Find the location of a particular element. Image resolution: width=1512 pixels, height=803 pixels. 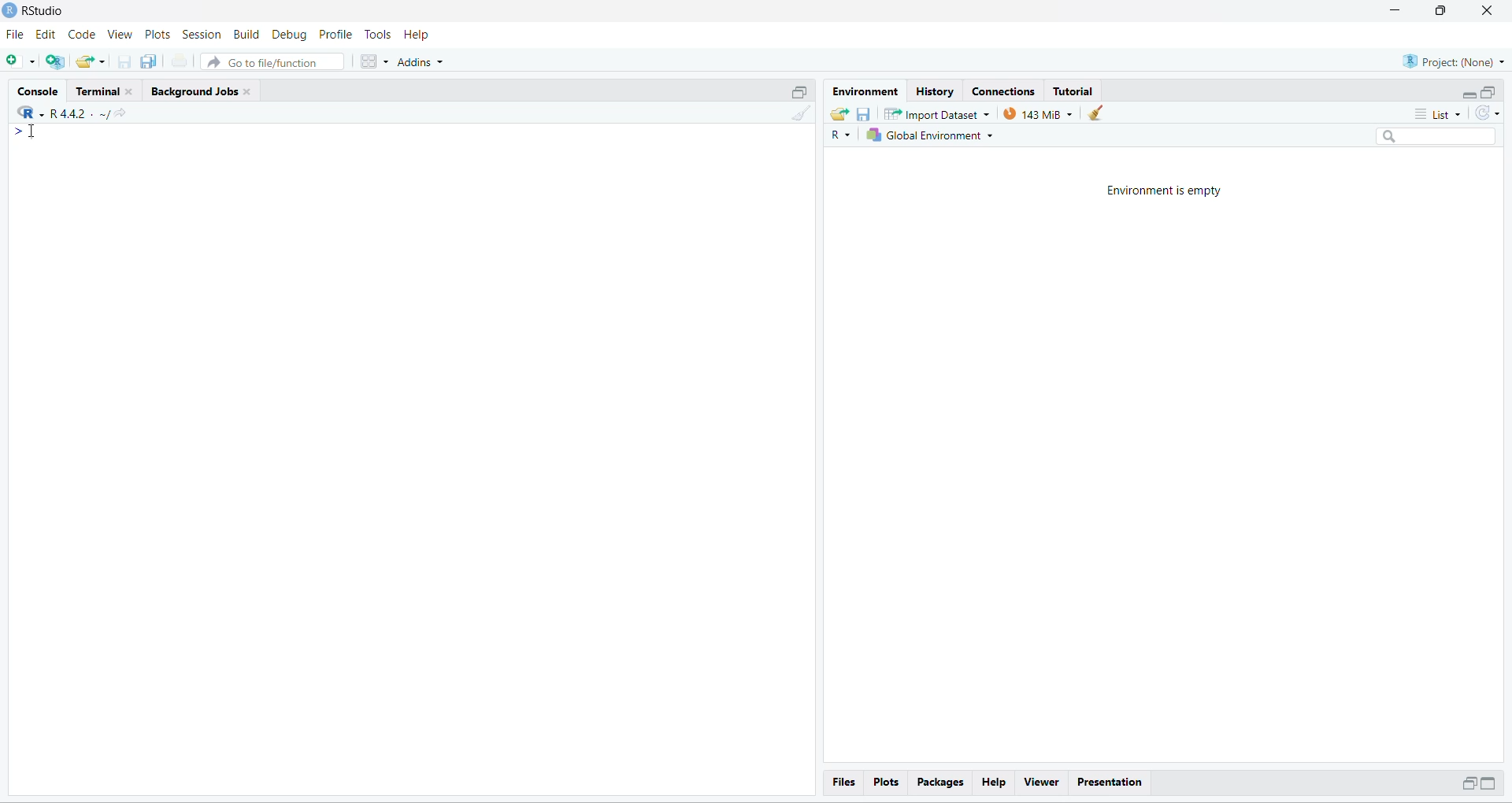

share icon is located at coordinates (120, 116).